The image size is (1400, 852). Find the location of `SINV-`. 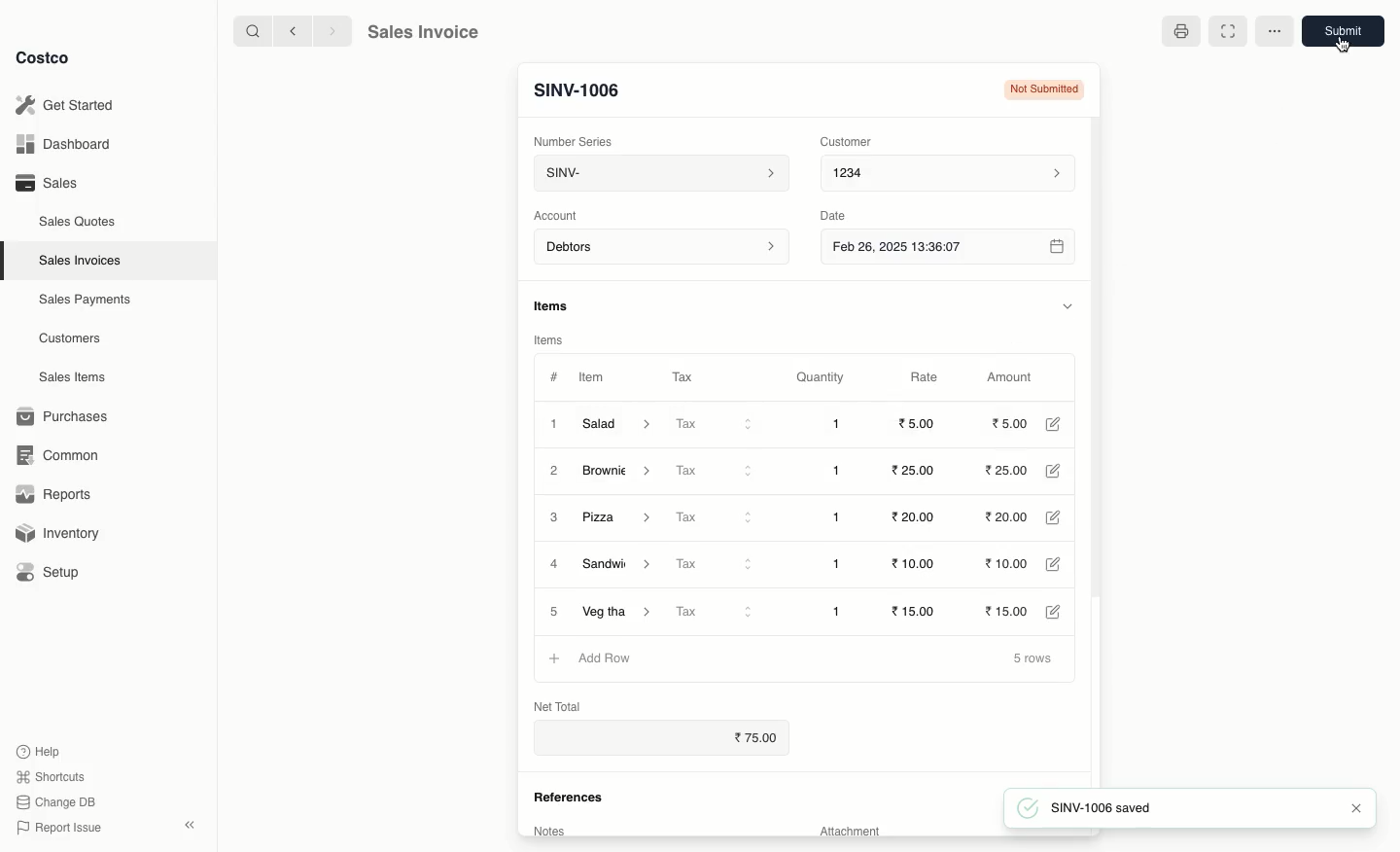

SINV- is located at coordinates (660, 175).